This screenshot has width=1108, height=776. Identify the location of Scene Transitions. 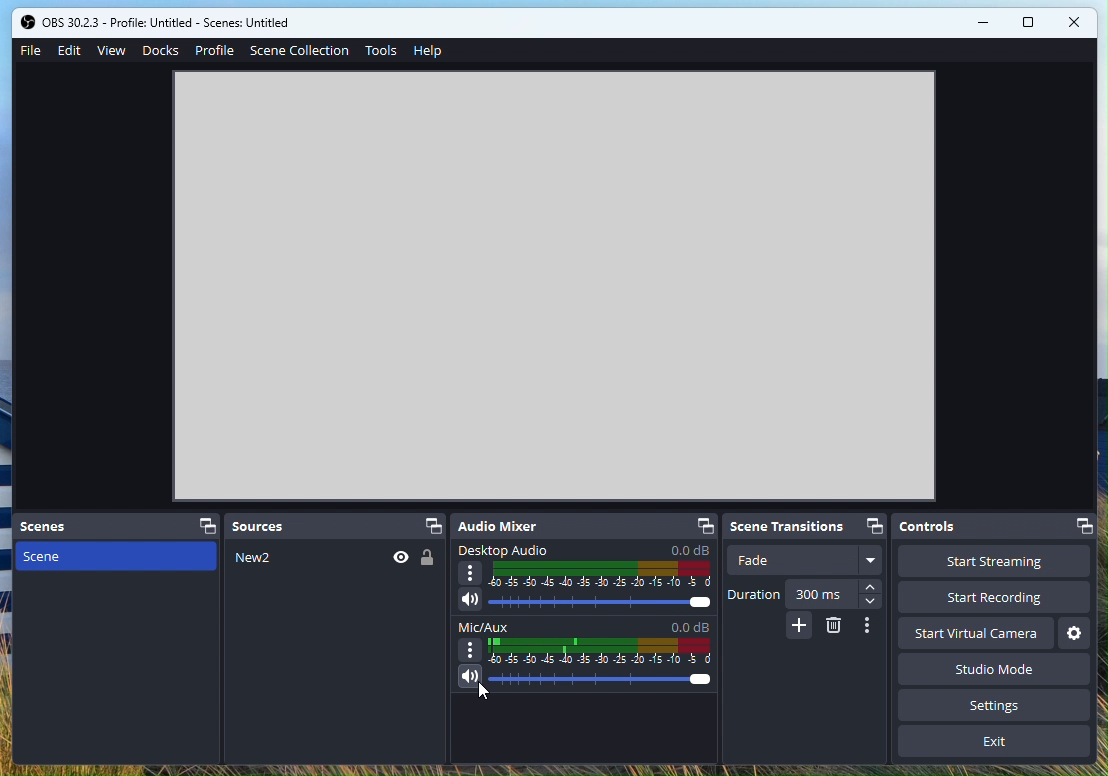
(808, 527).